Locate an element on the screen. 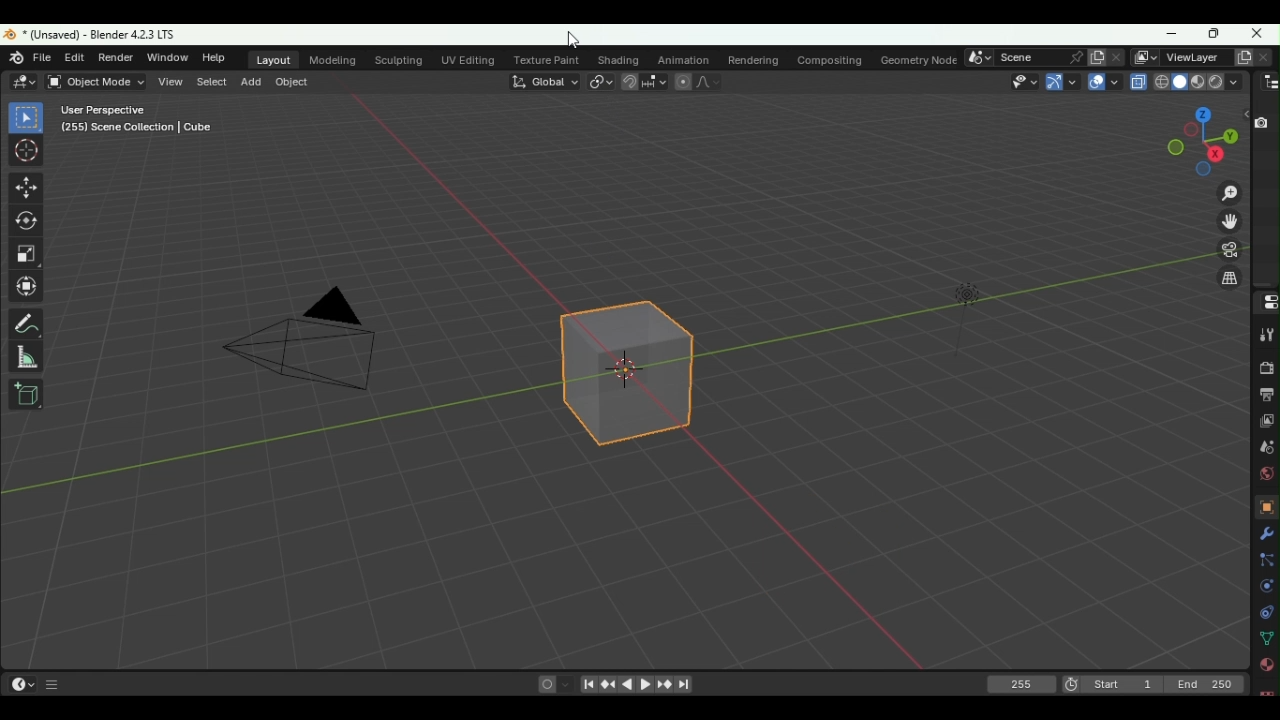  New scene is located at coordinates (1098, 56).